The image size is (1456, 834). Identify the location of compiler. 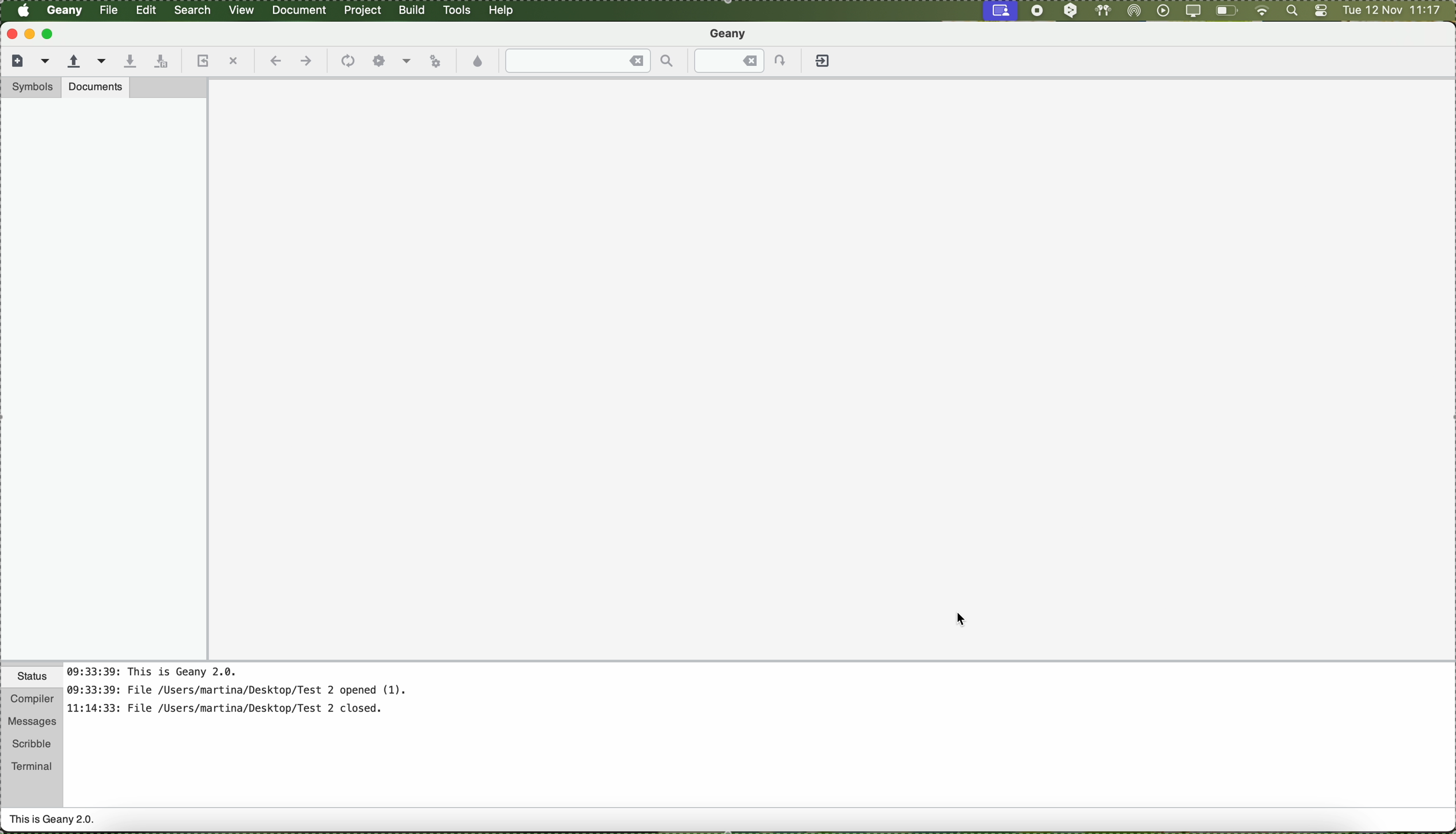
(31, 700).